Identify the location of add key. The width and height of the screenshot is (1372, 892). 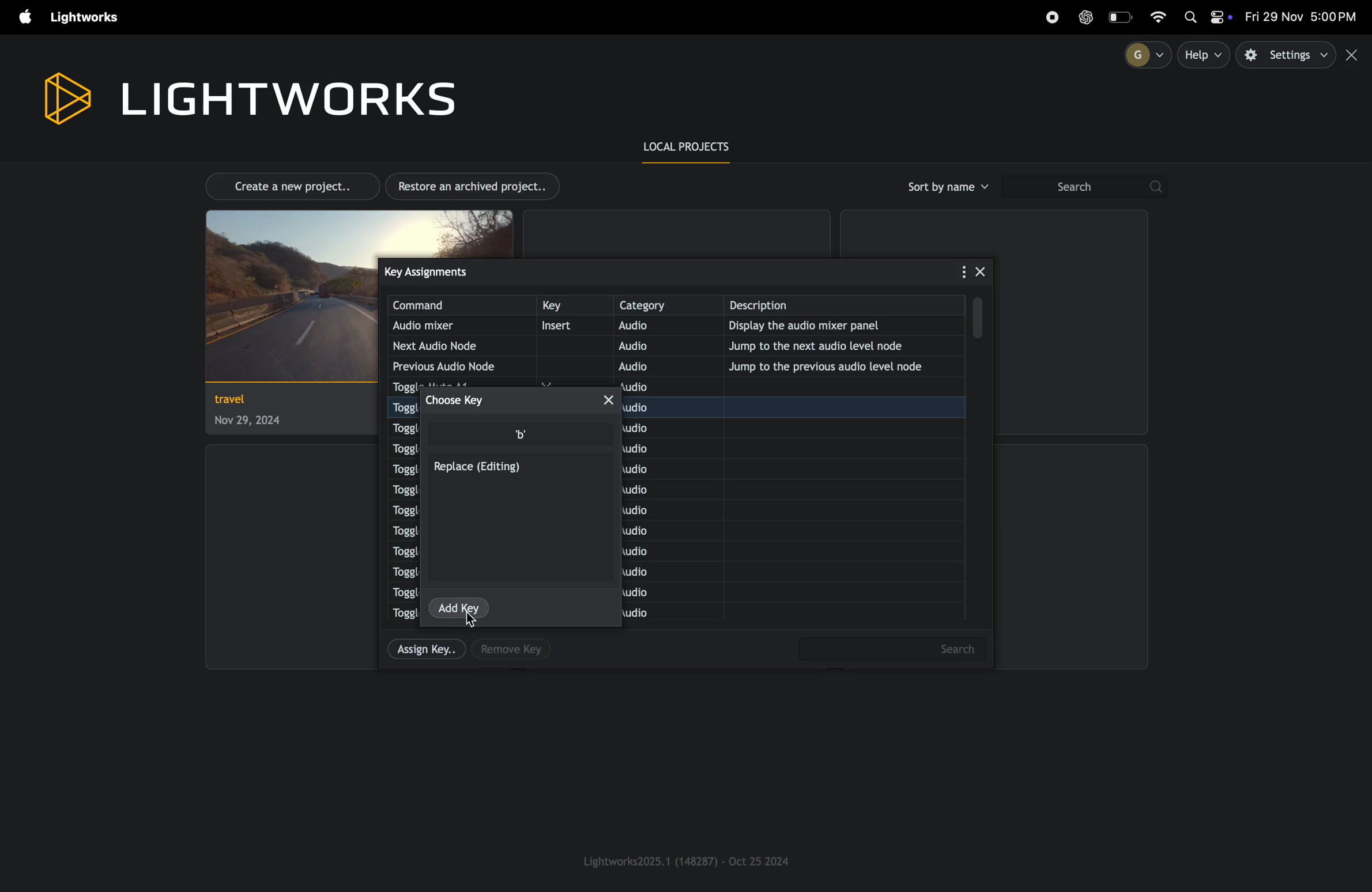
(461, 606).